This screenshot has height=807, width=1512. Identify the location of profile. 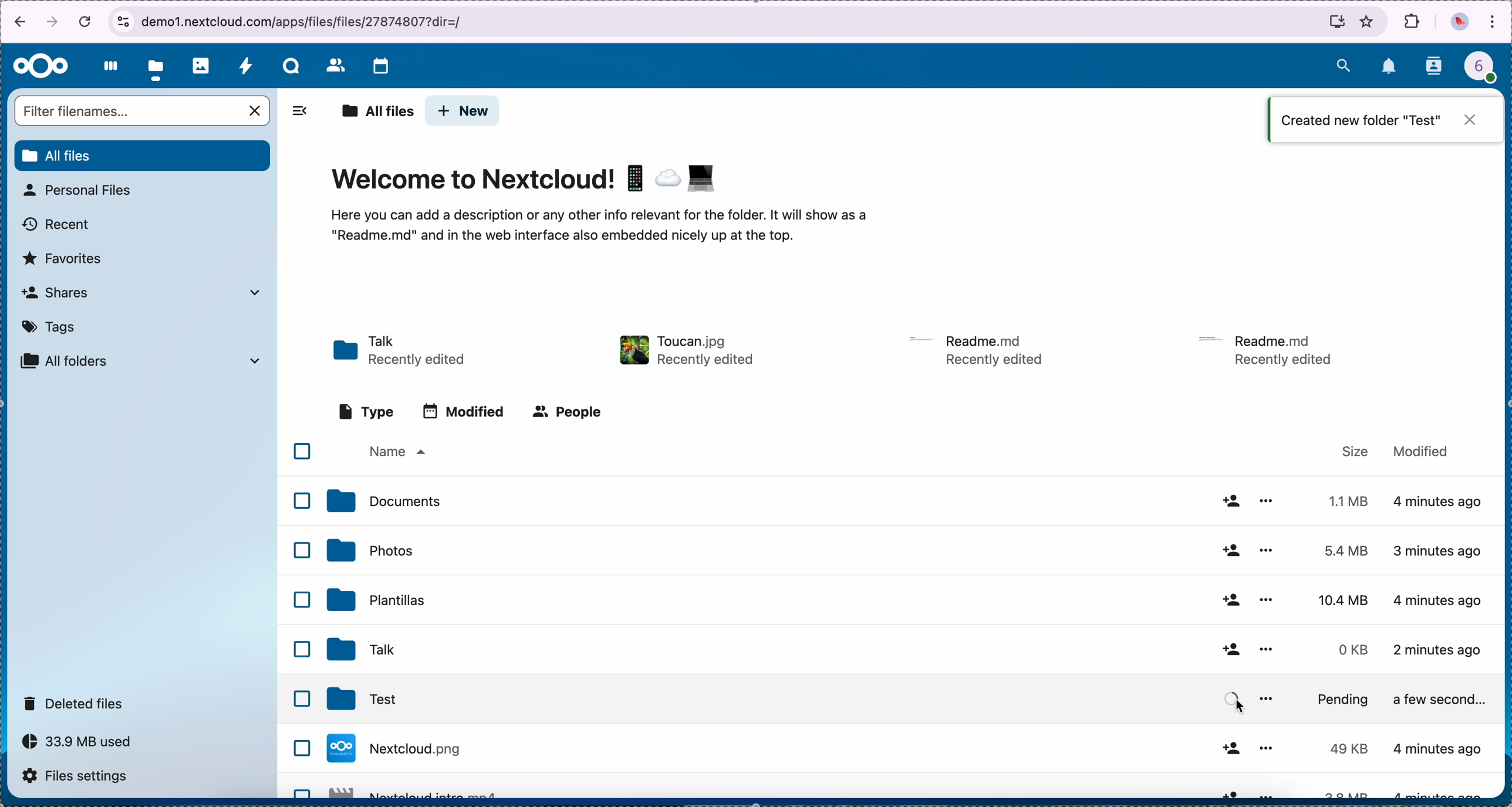
(1487, 70).